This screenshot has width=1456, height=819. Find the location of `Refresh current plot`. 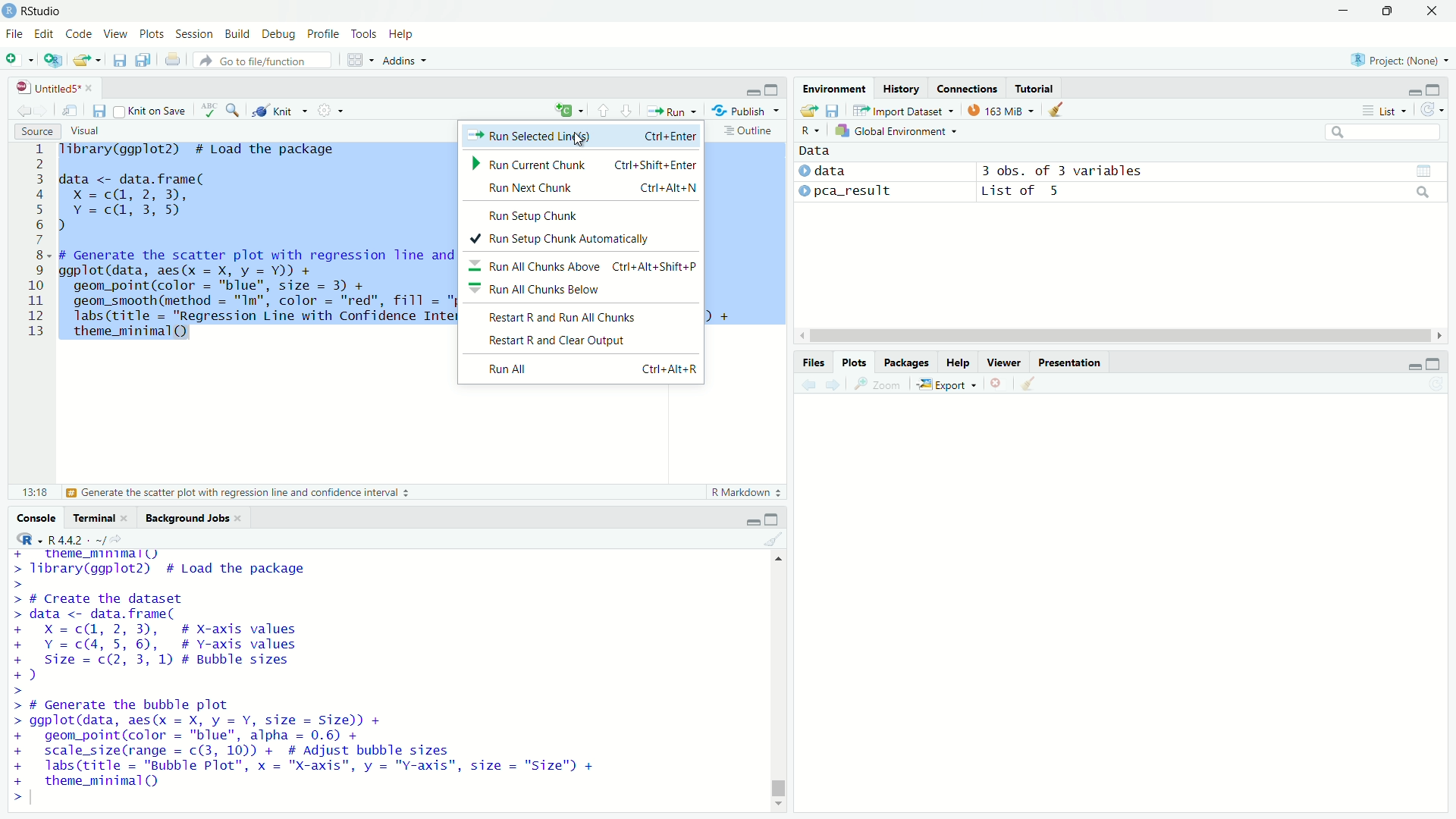

Refresh current plot is located at coordinates (1436, 383).